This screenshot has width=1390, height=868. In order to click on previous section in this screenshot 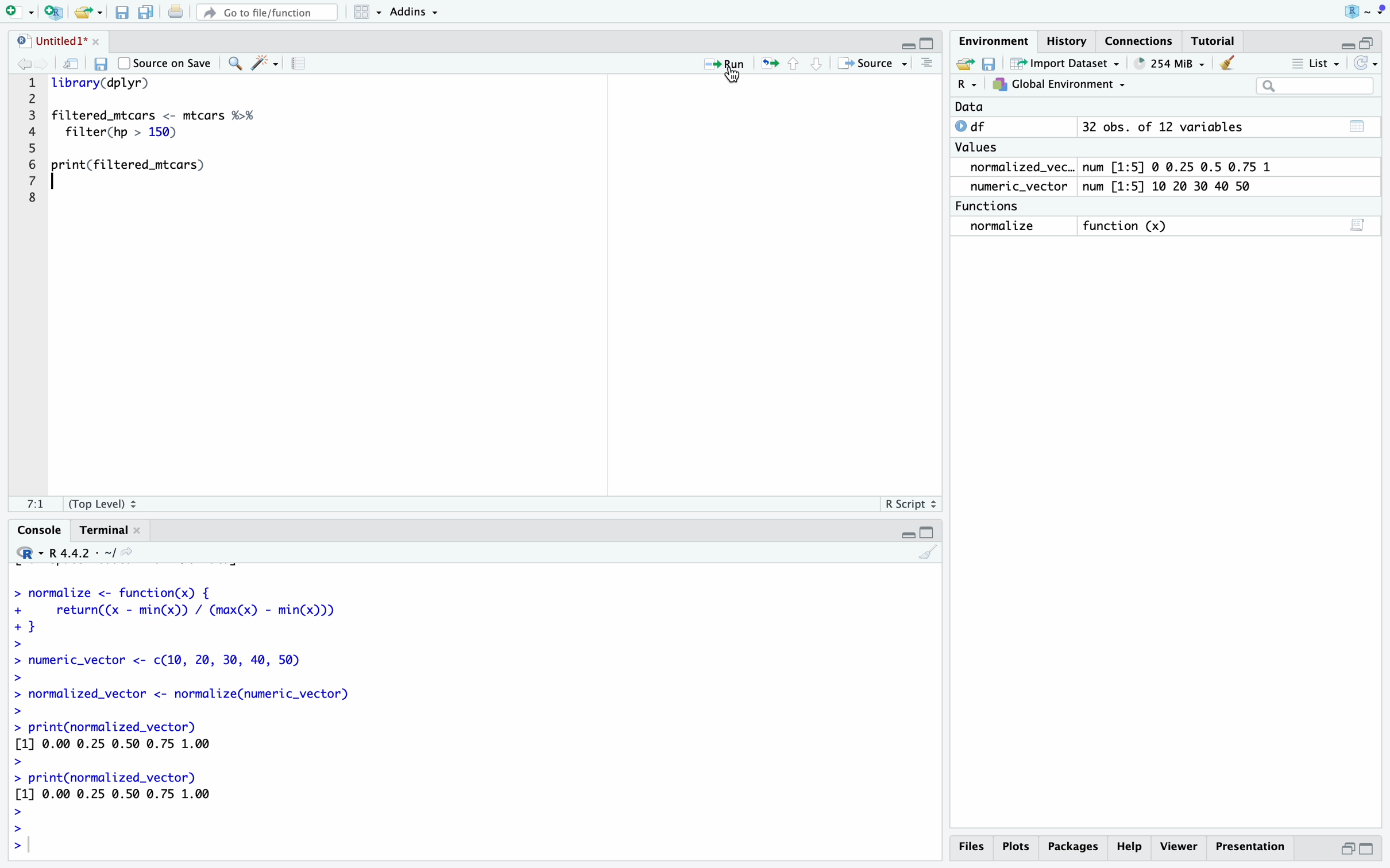, I will do `click(796, 64)`.